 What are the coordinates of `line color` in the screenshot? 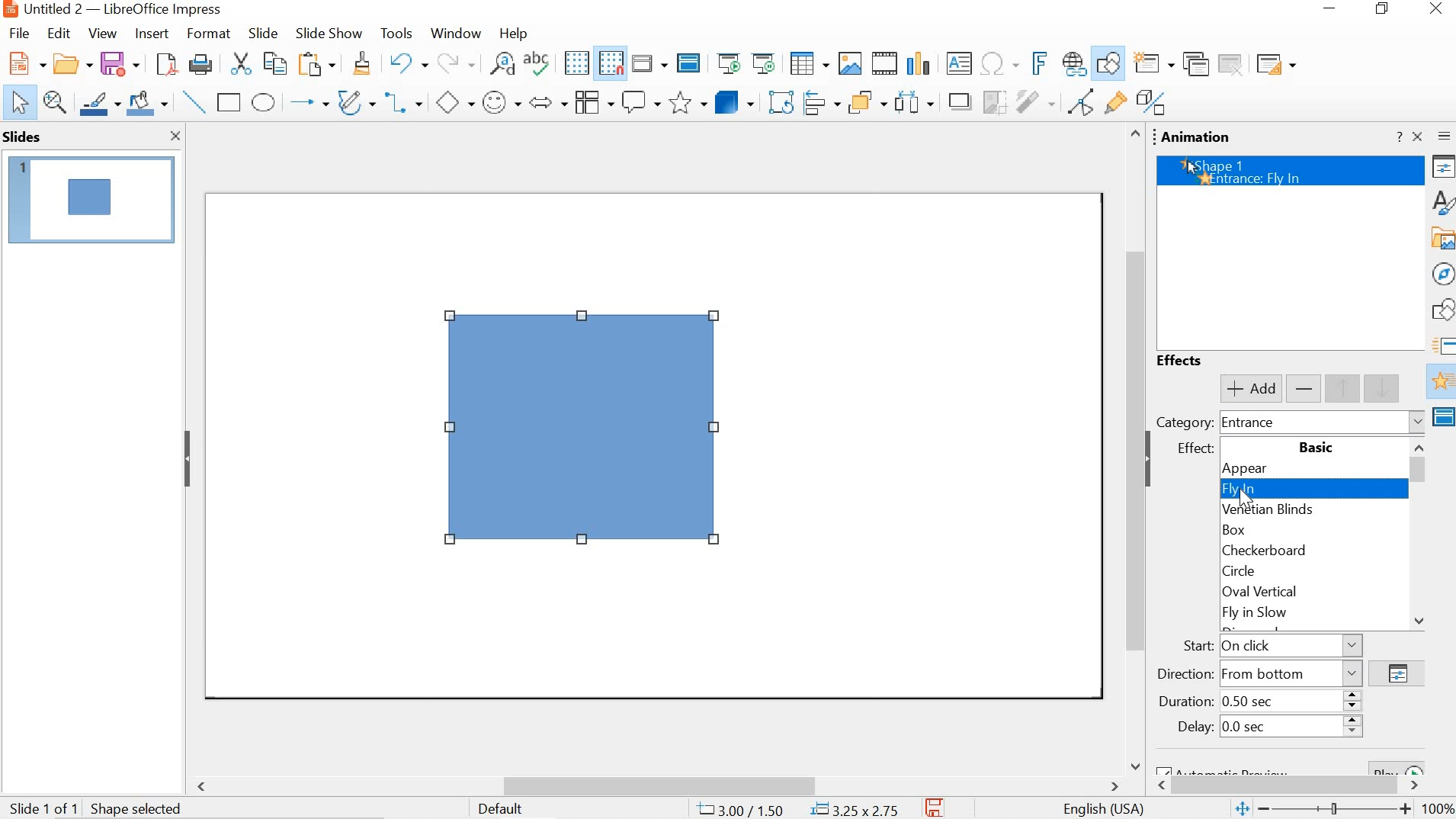 It's located at (98, 101).